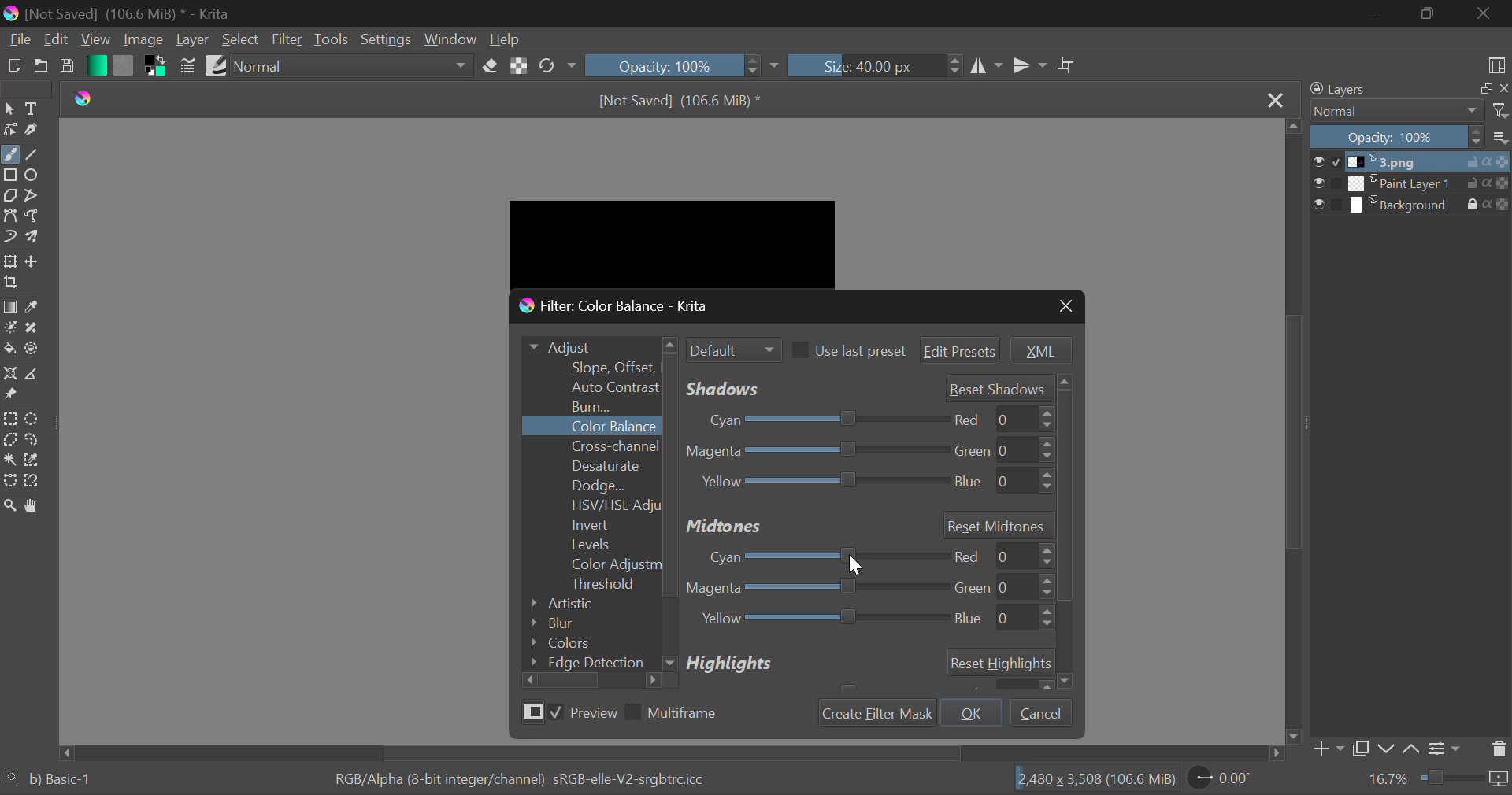 The image size is (1512, 795). What do you see at coordinates (354, 65) in the screenshot?
I see `Blending Mode` at bounding box center [354, 65].